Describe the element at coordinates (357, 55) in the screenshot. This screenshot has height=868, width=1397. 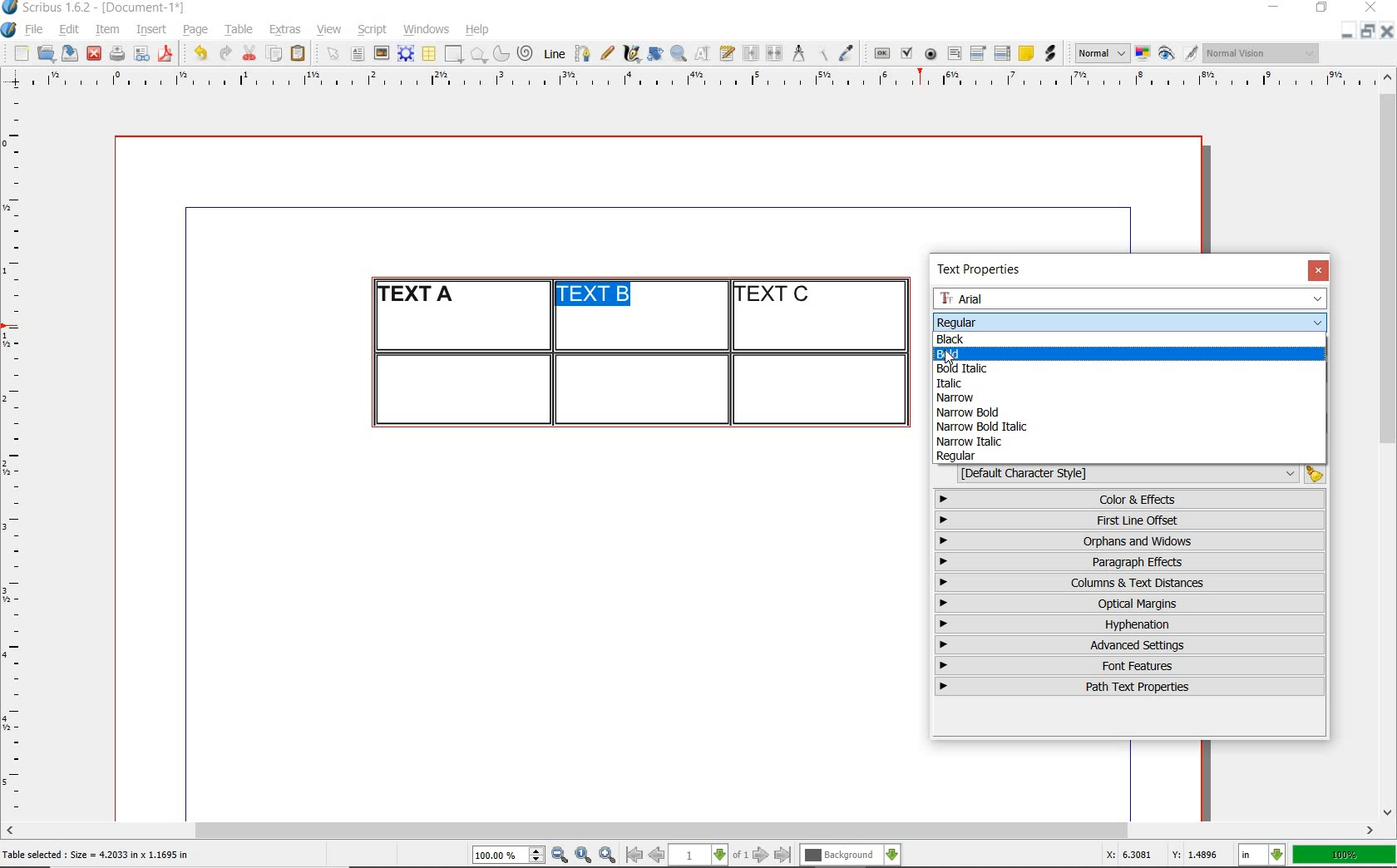
I see `text frame` at that location.